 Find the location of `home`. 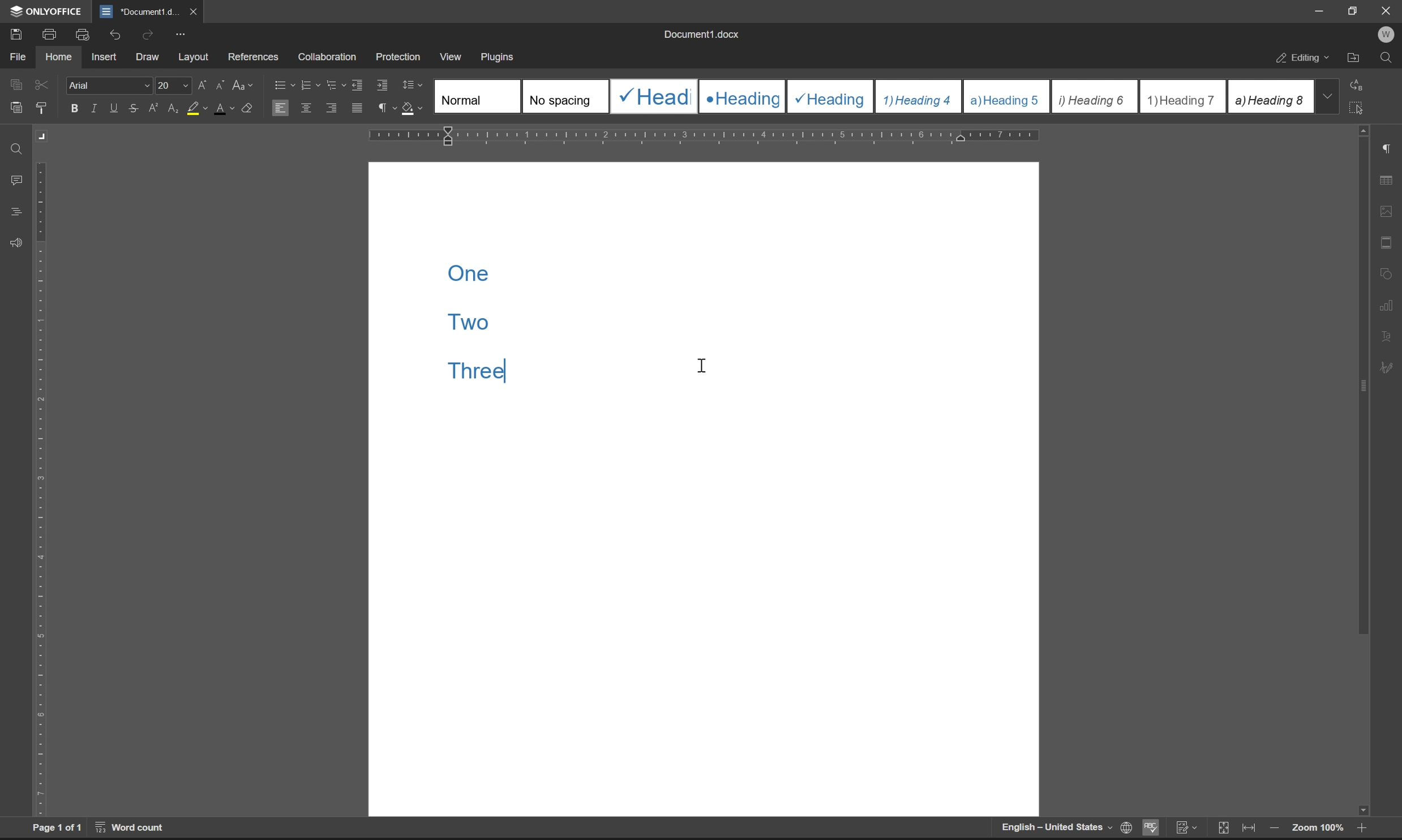

home is located at coordinates (58, 55).